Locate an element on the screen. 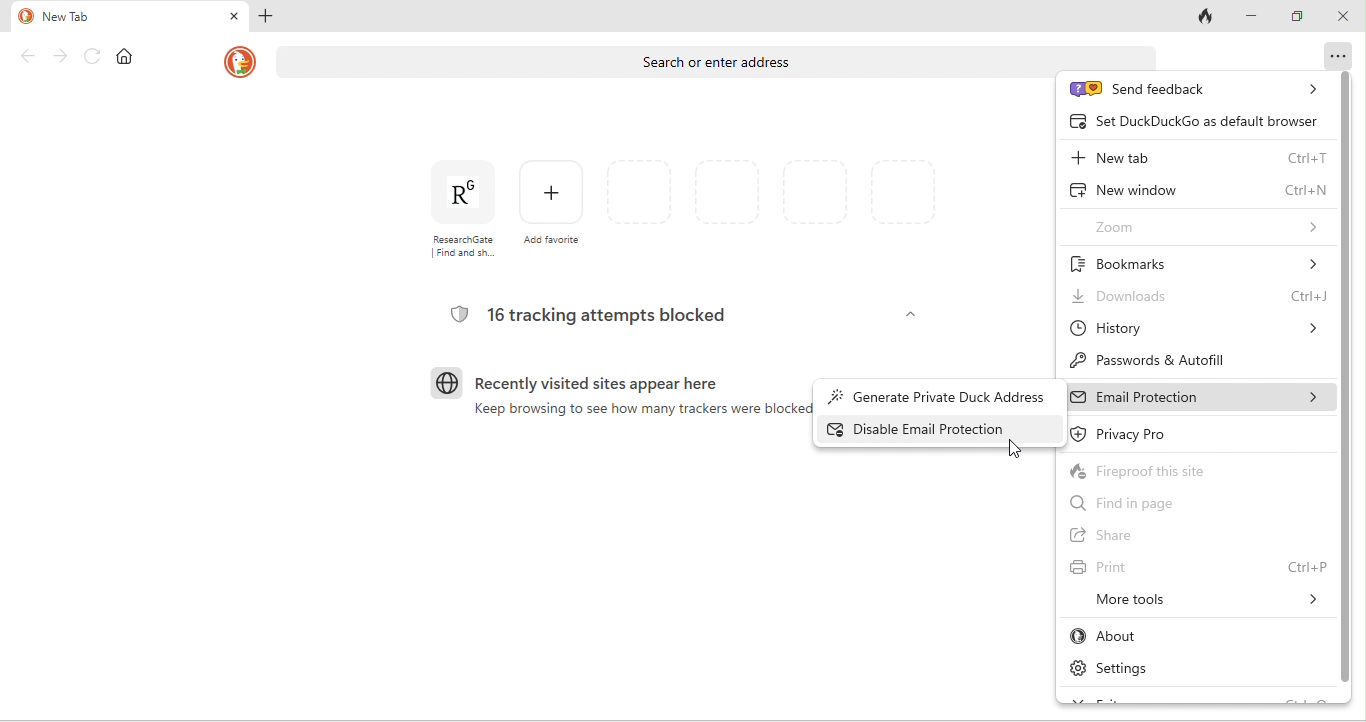  close tab is located at coordinates (233, 15).